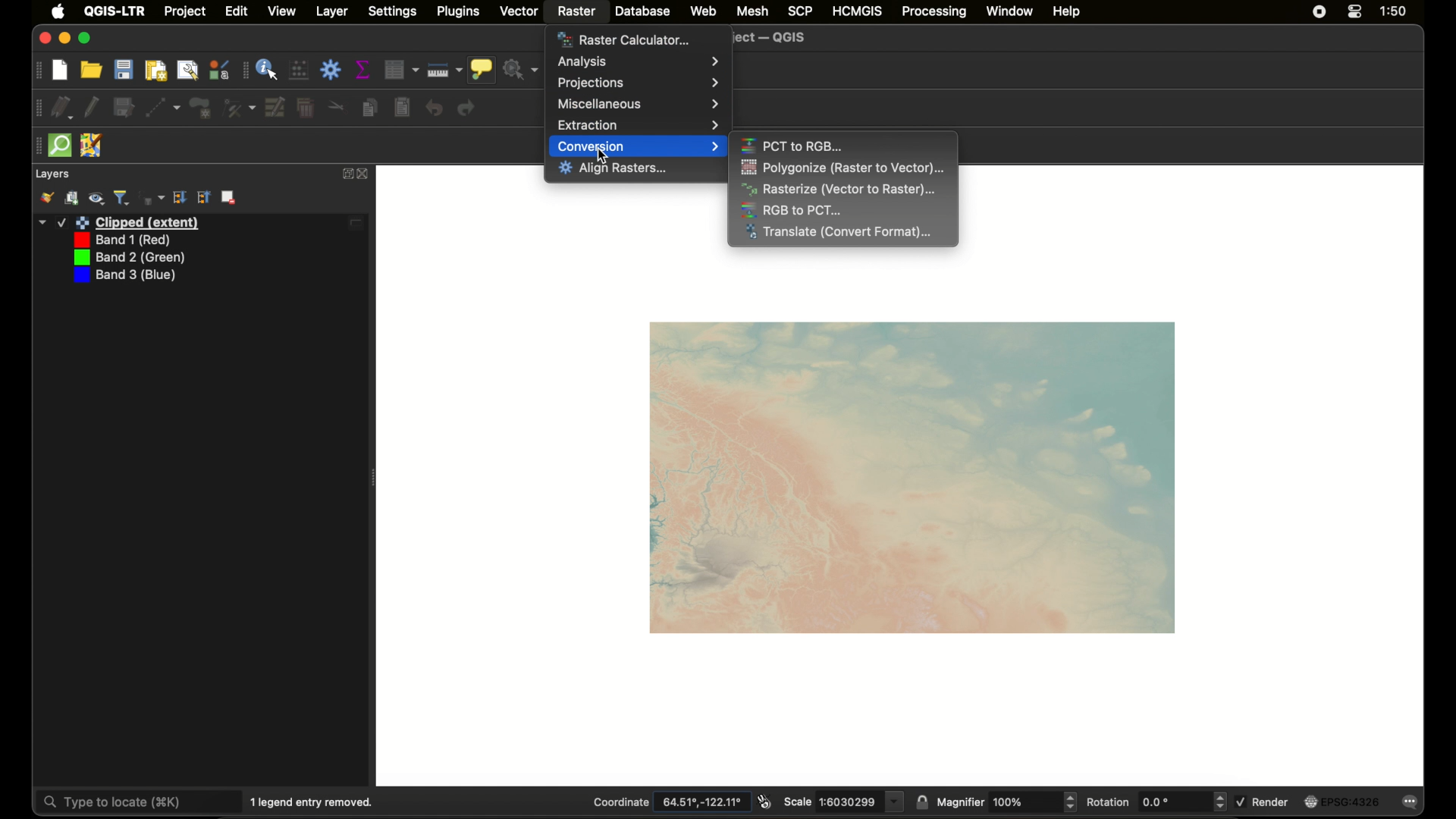 This screenshot has height=819, width=1456. What do you see at coordinates (843, 802) in the screenshot?
I see `scale` at bounding box center [843, 802].